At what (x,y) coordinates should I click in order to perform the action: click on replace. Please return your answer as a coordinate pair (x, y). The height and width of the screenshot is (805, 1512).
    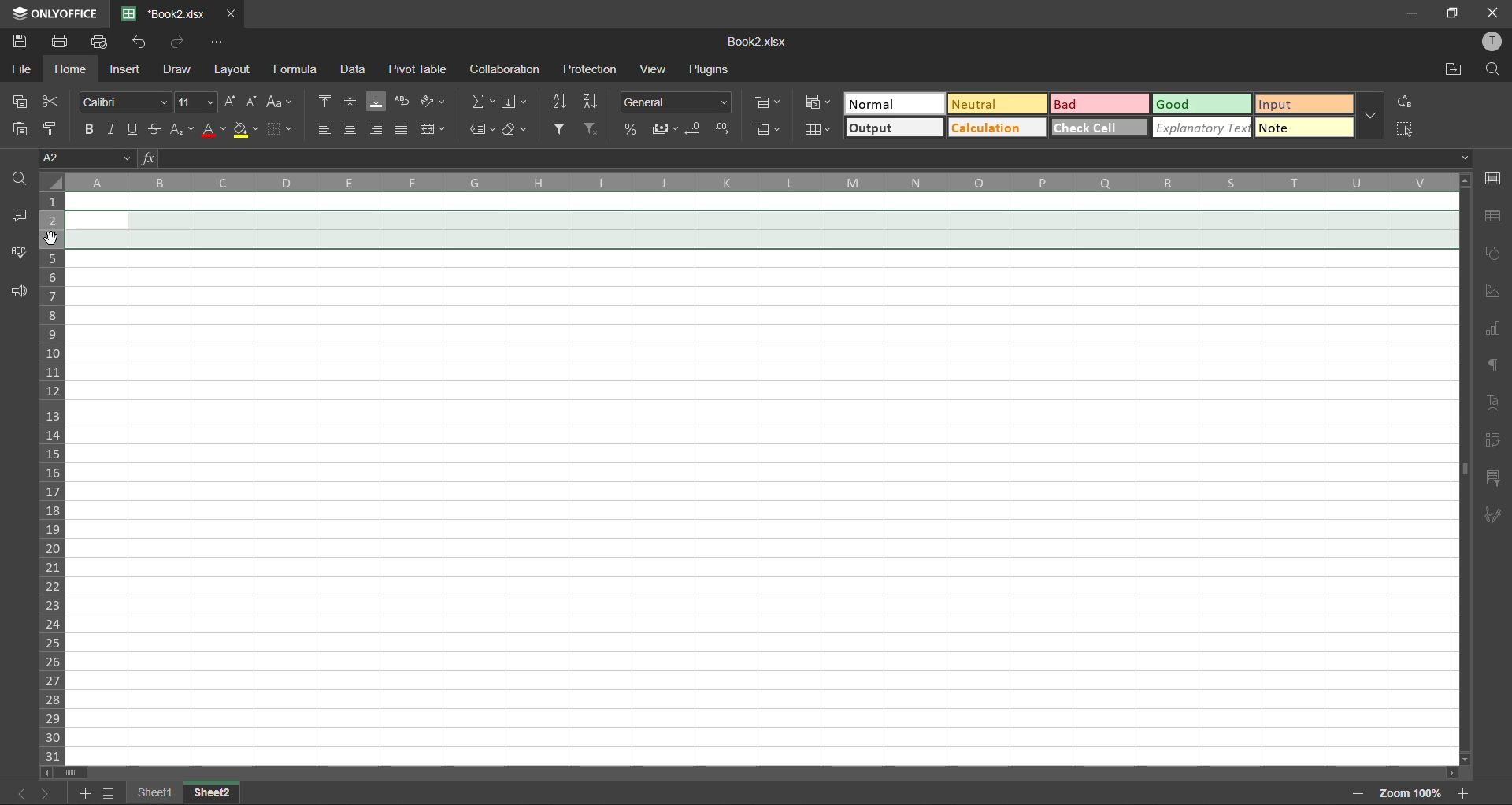
    Looking at the image, I should click on (1403, 102).